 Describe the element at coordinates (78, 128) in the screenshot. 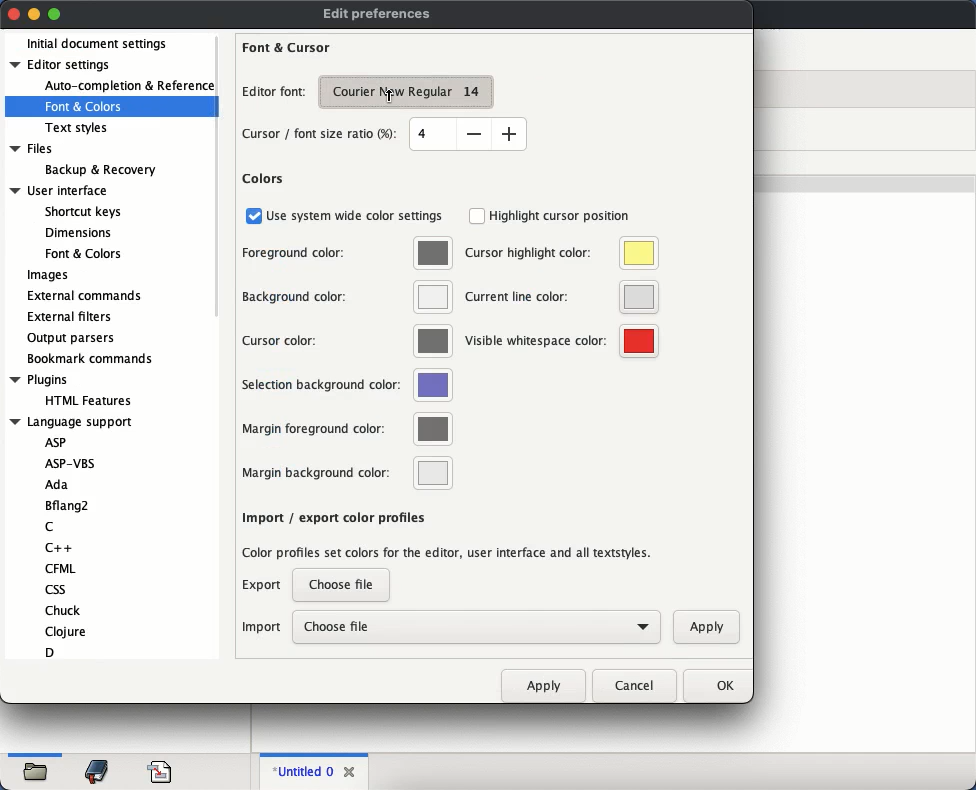

I see `text styles` at that location.